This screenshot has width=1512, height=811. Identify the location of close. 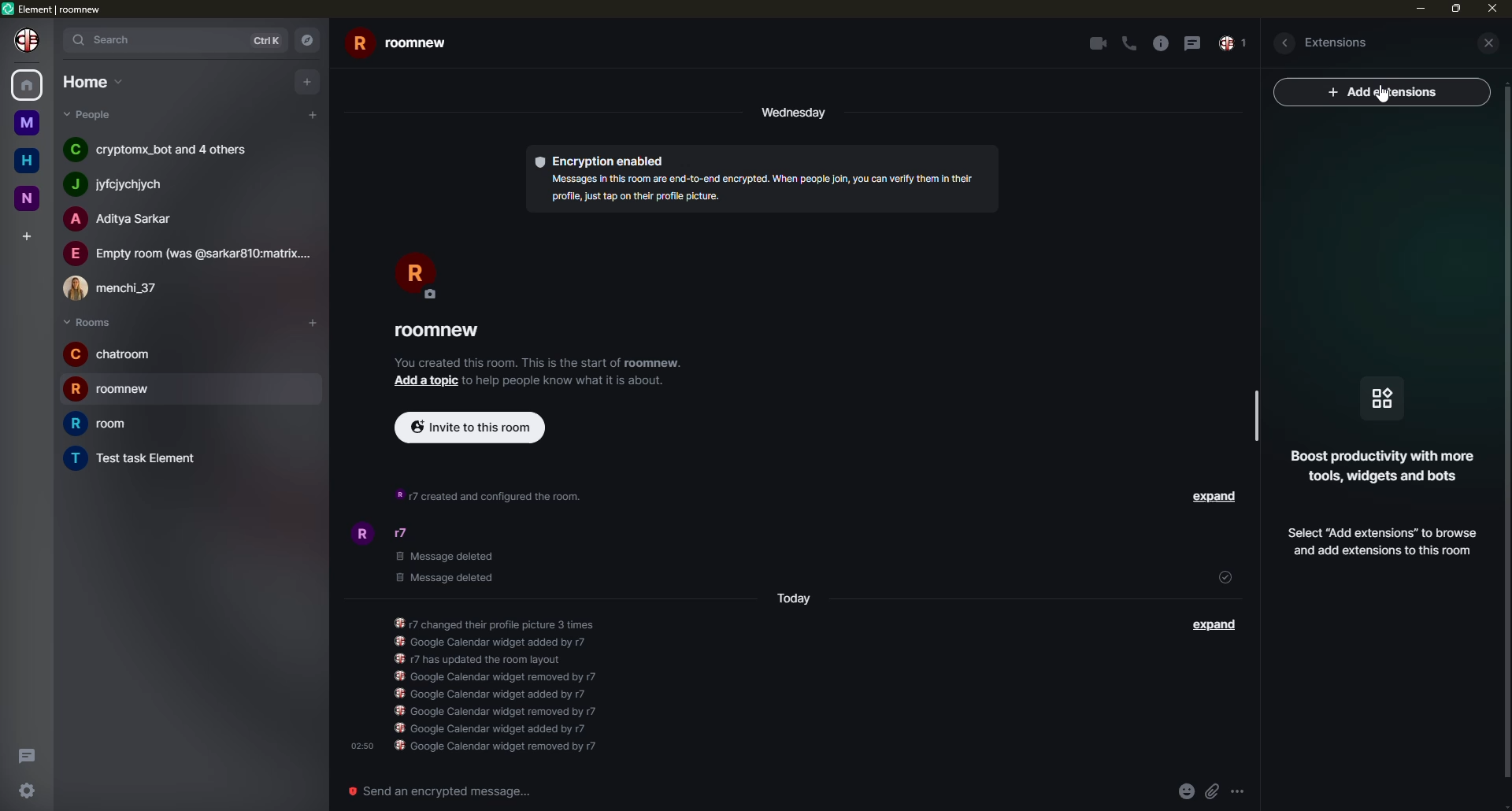
(1492, 42).